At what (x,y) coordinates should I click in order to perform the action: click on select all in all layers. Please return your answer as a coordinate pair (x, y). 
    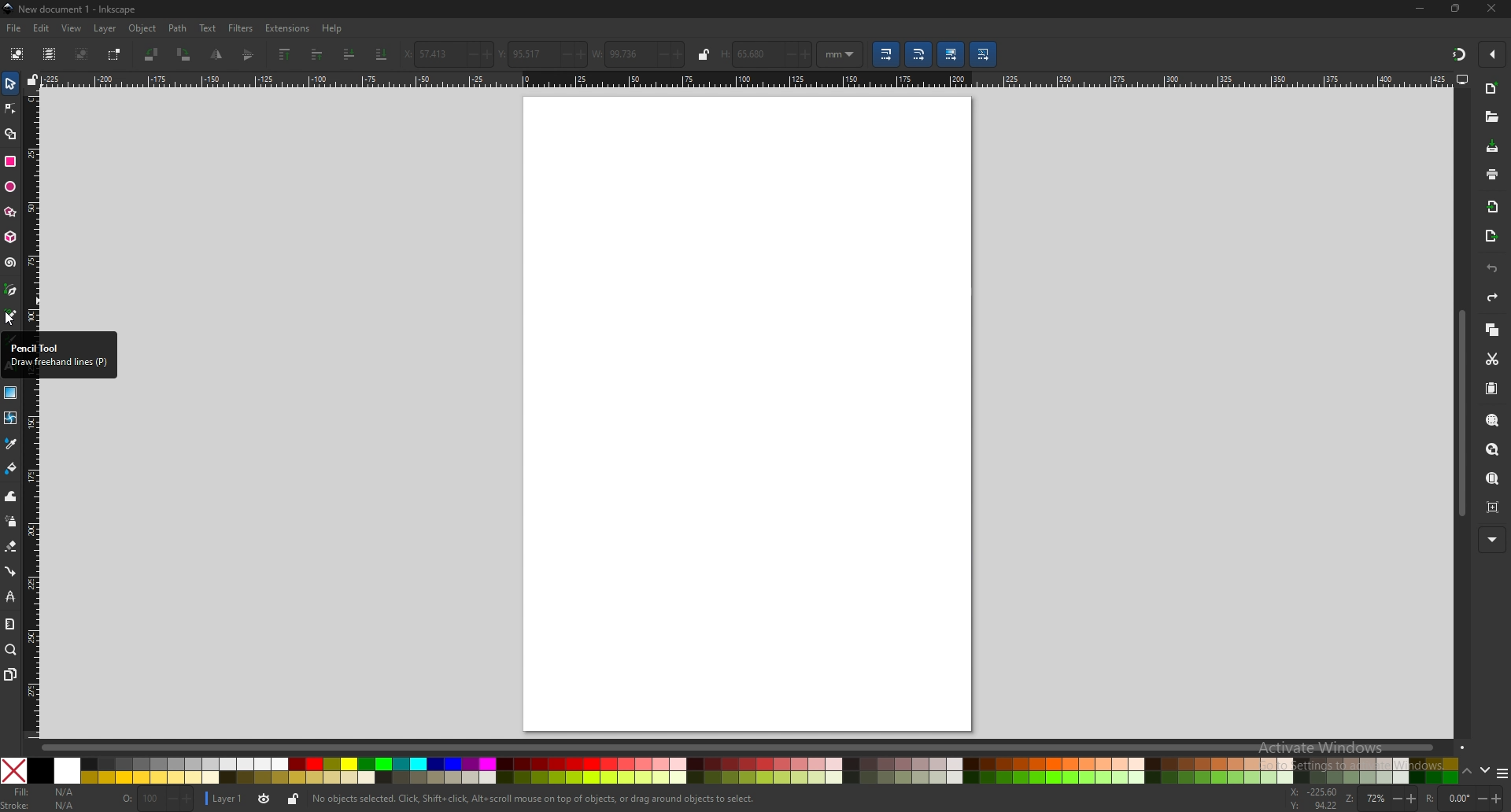
    Looking at the image, I should click on (50, 54).